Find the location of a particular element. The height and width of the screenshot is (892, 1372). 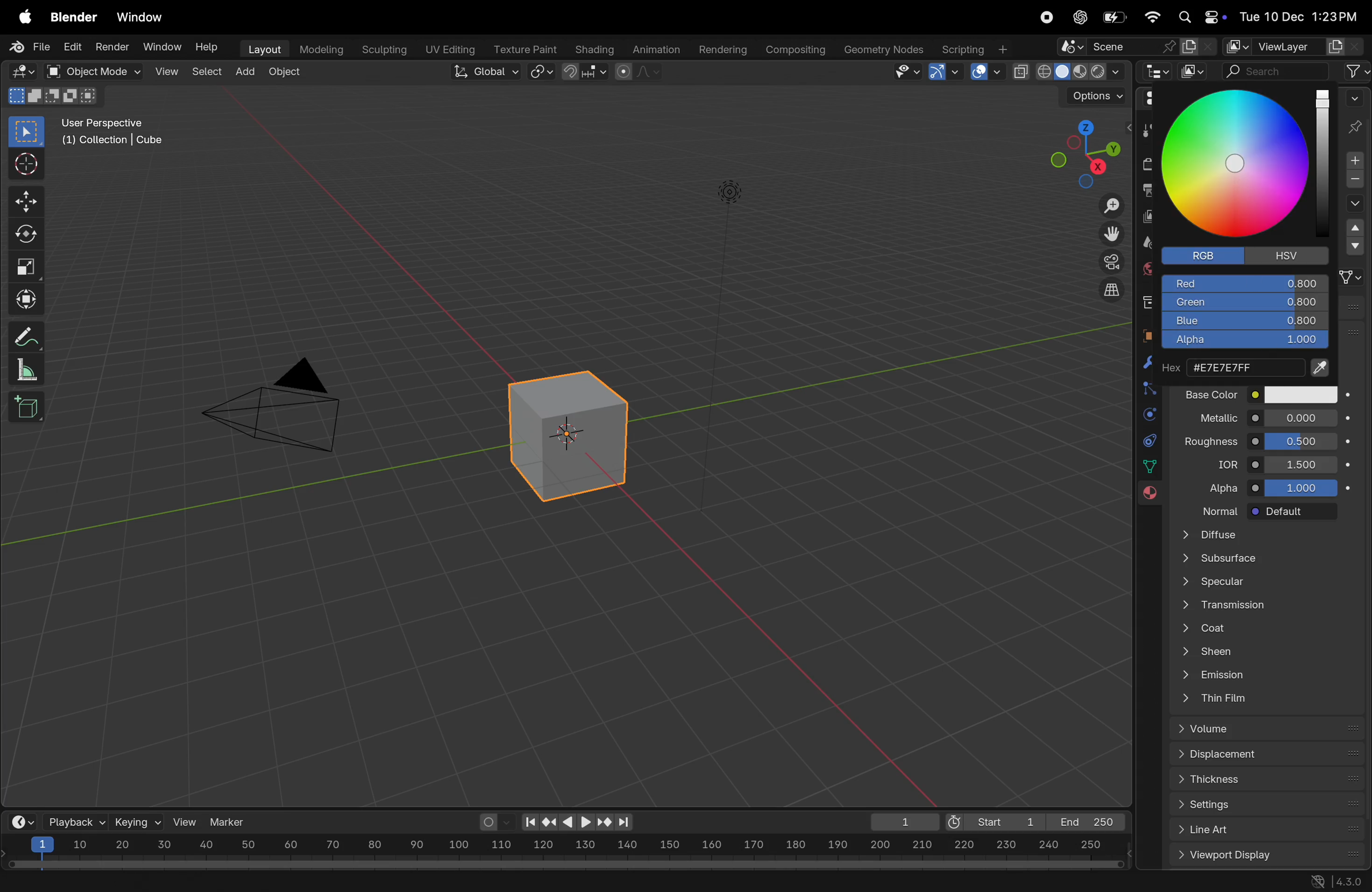

select is located at coordinates (205, 71).